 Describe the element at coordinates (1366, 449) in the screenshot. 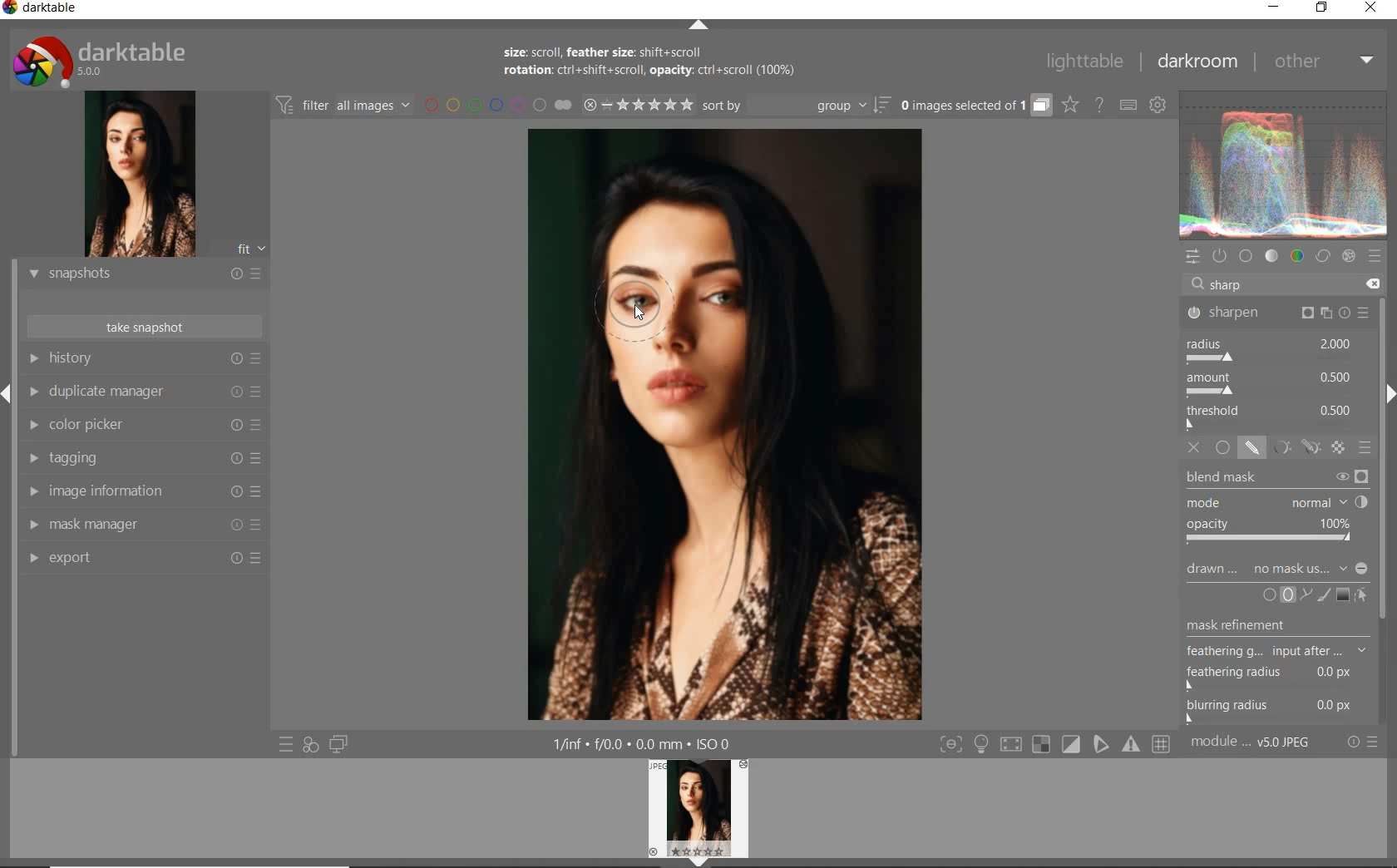

I see `blending options` at that location.